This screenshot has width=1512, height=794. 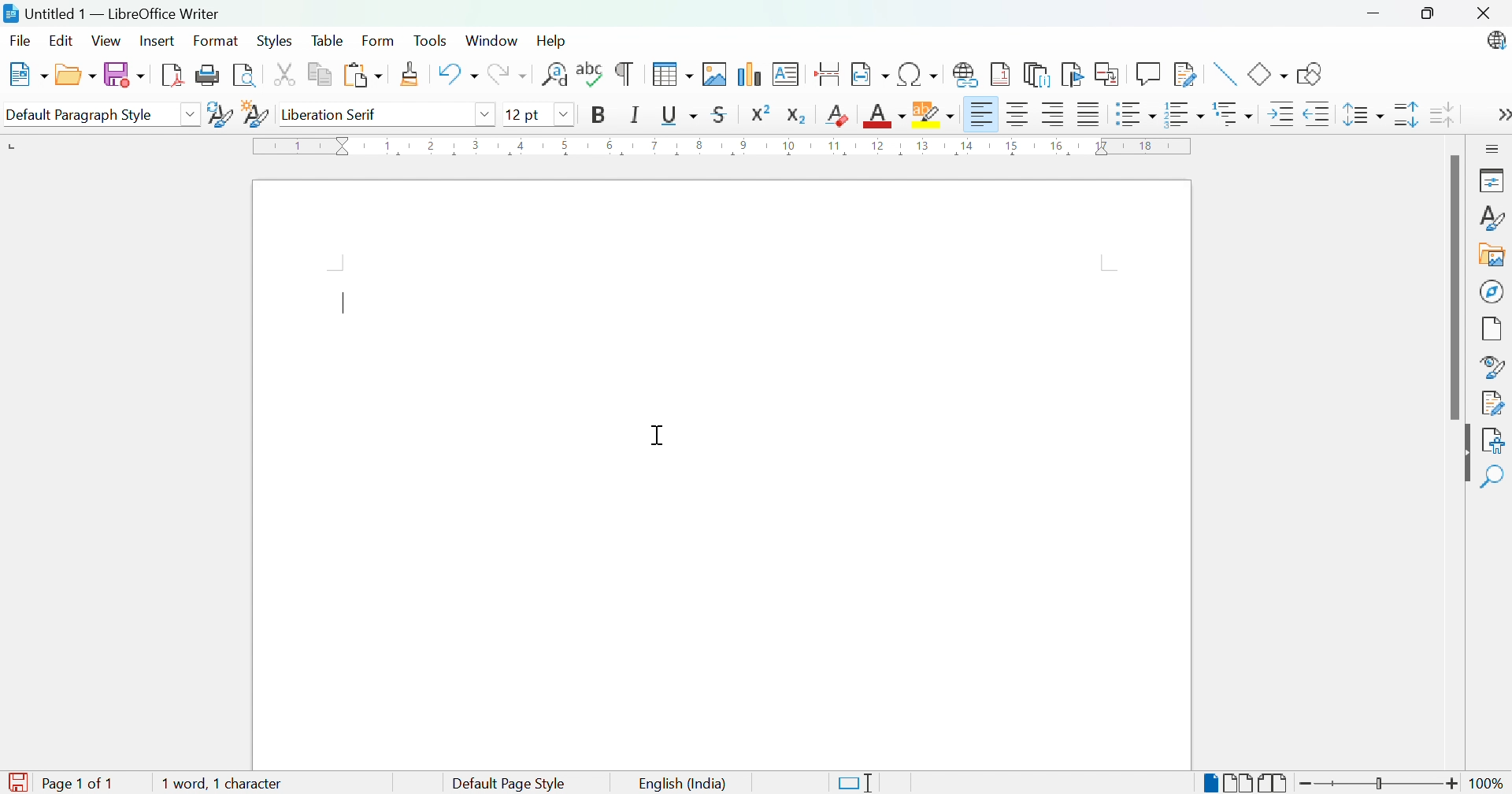 What do you see at coordinates (255, 115) in the screenshot?
I see `New style from selection` at bounding box center [255, 115].